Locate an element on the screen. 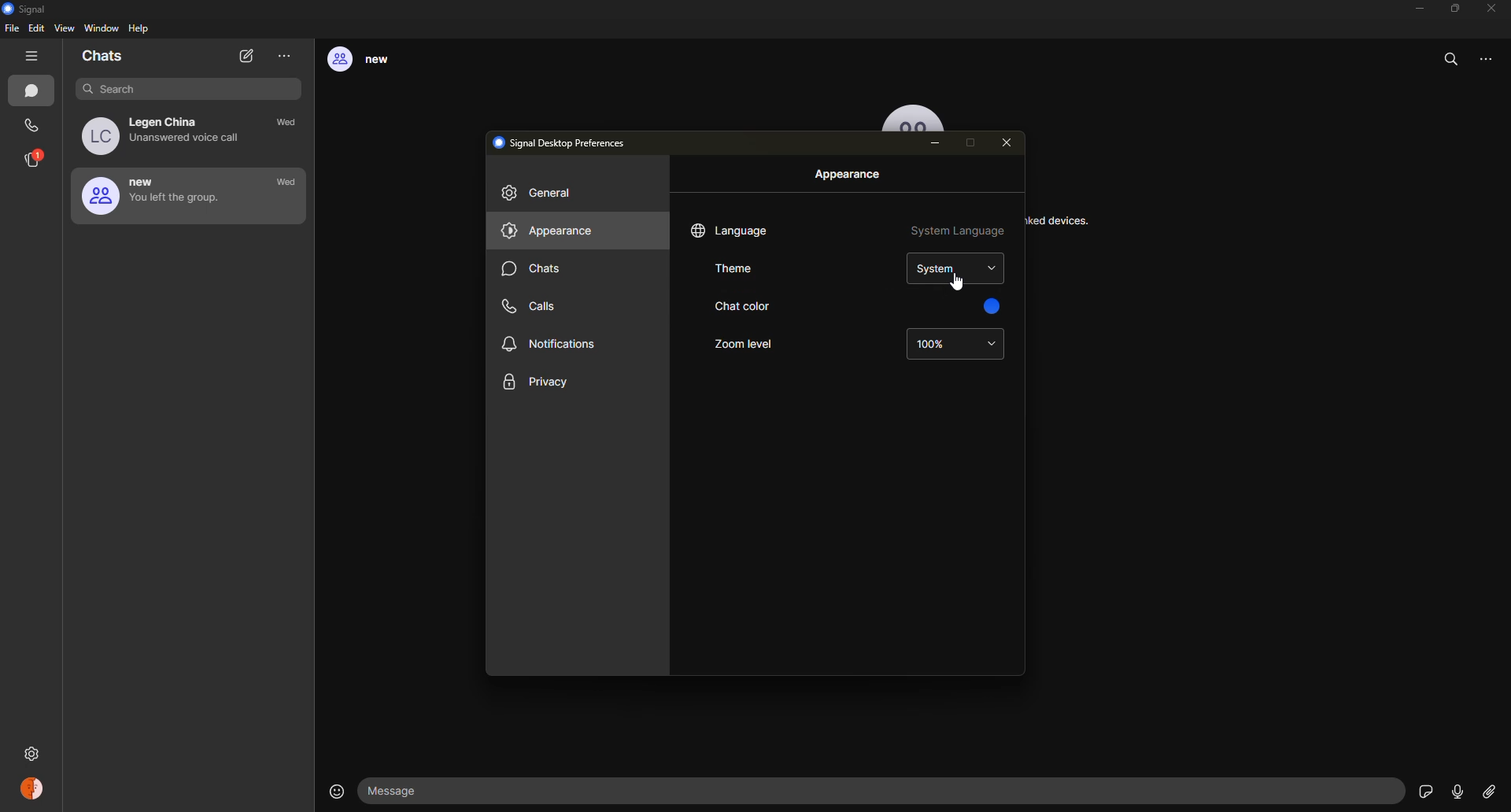 This screenshot has width=1511, height=812. chats is located at coordinates (104, 57).